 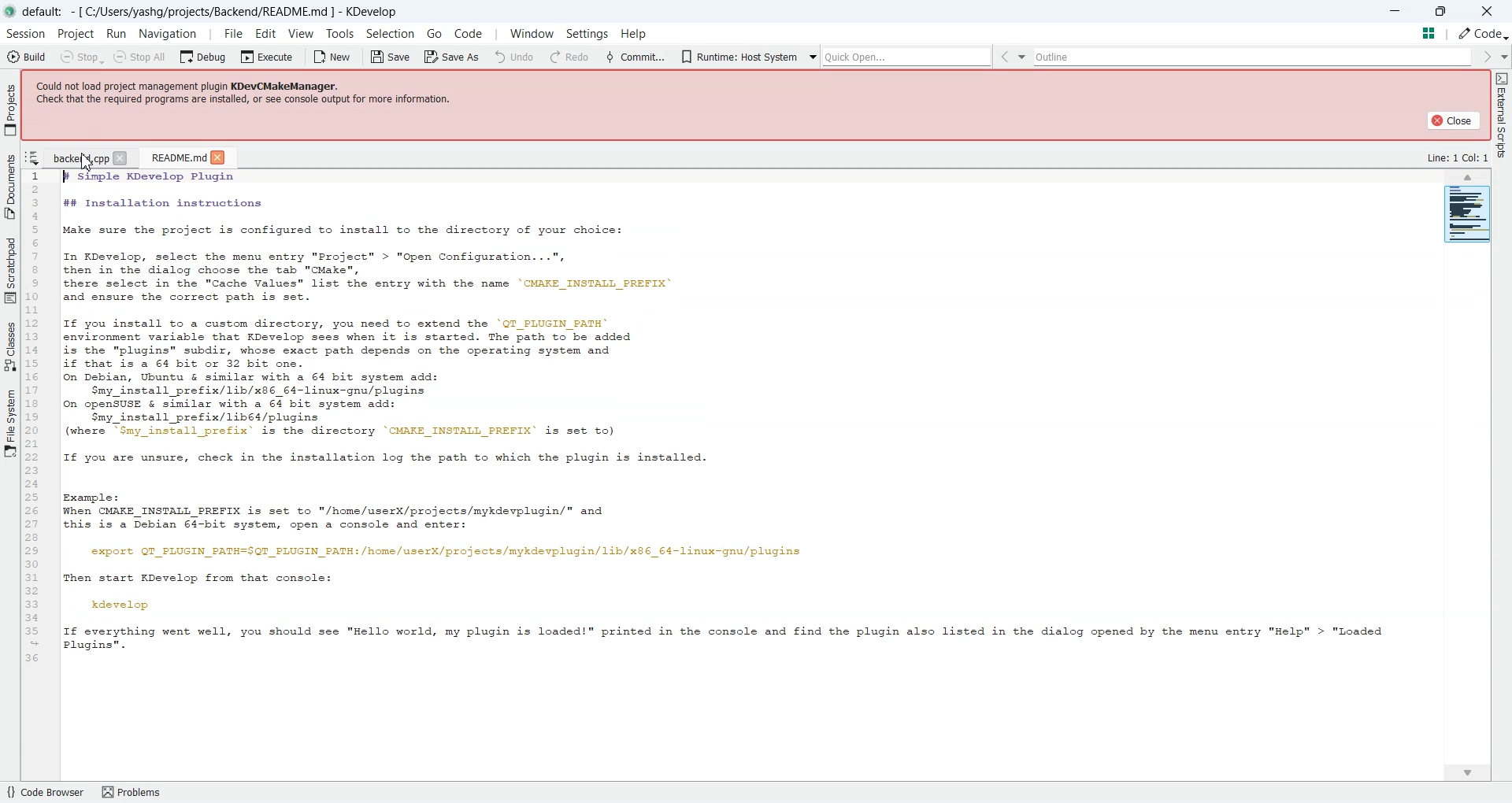 What do you see at coordinates (205, 56) in the screenshot?
I see `Debug` at bounding box center [205, 56].